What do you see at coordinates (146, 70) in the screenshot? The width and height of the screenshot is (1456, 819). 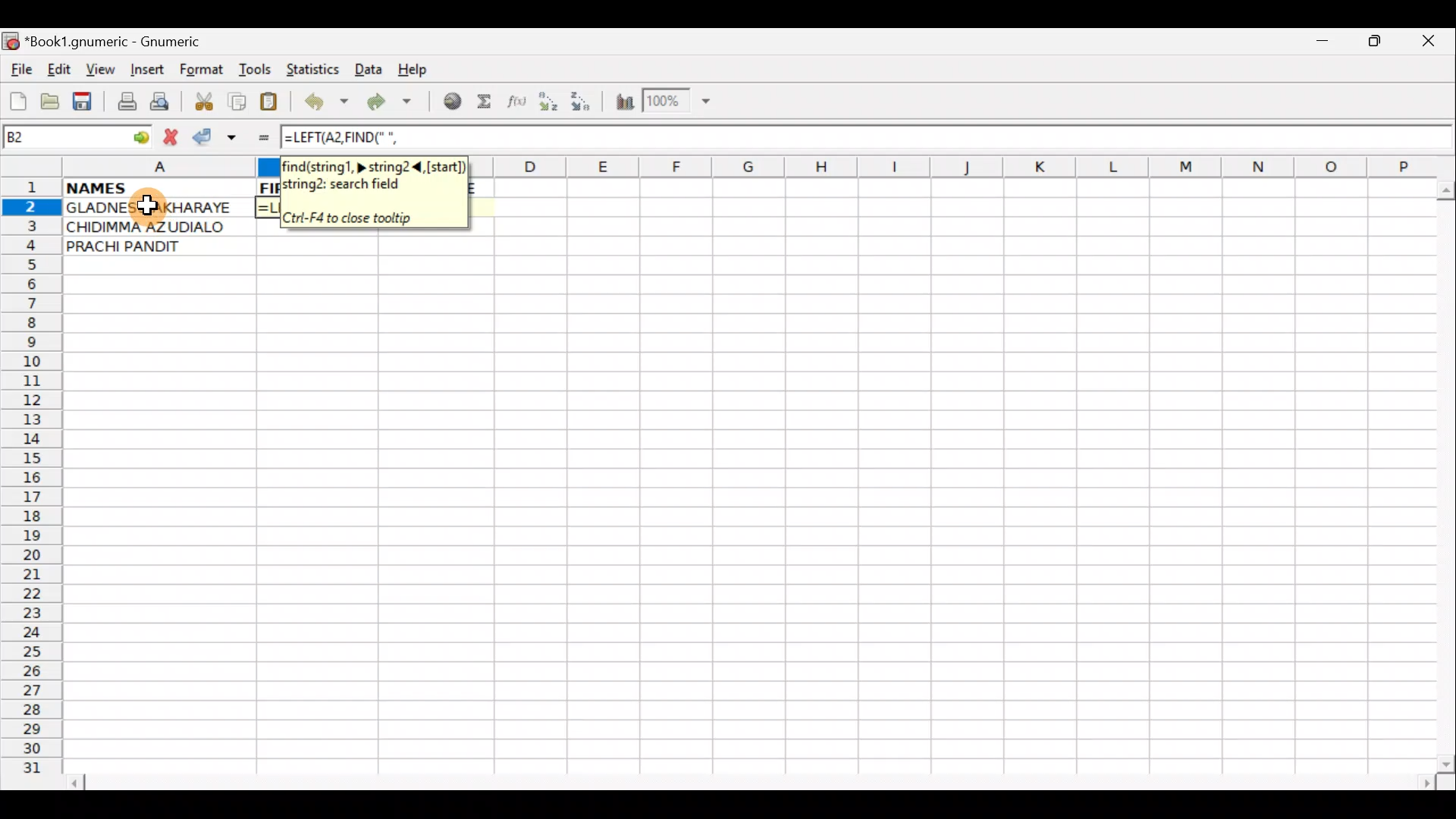 I see `Insert` at bounding box center [146, 70].